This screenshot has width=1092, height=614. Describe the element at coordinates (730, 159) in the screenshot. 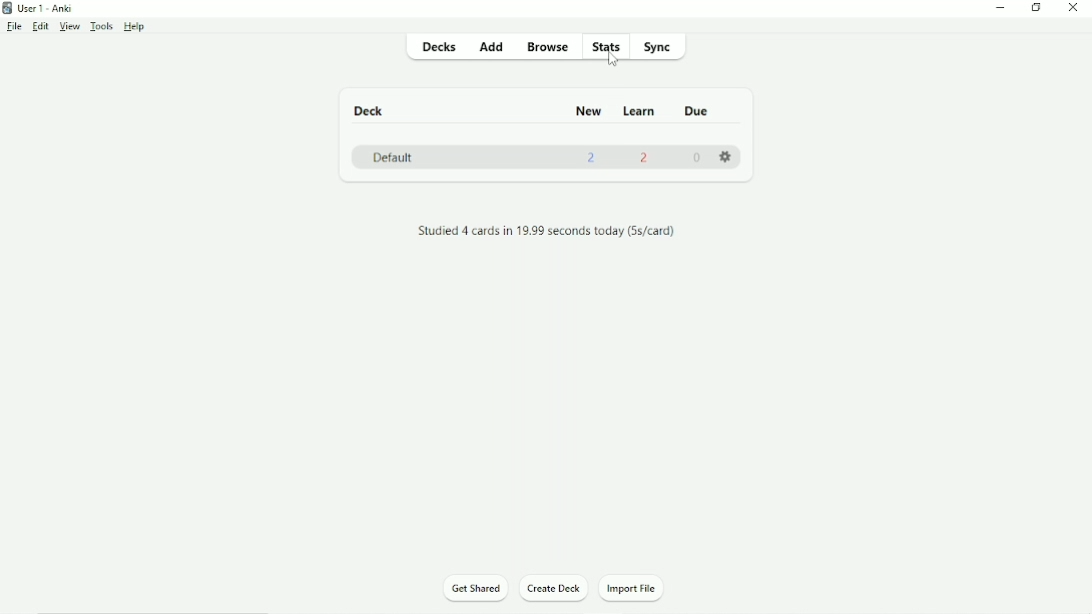

I see `Settings` at that location.